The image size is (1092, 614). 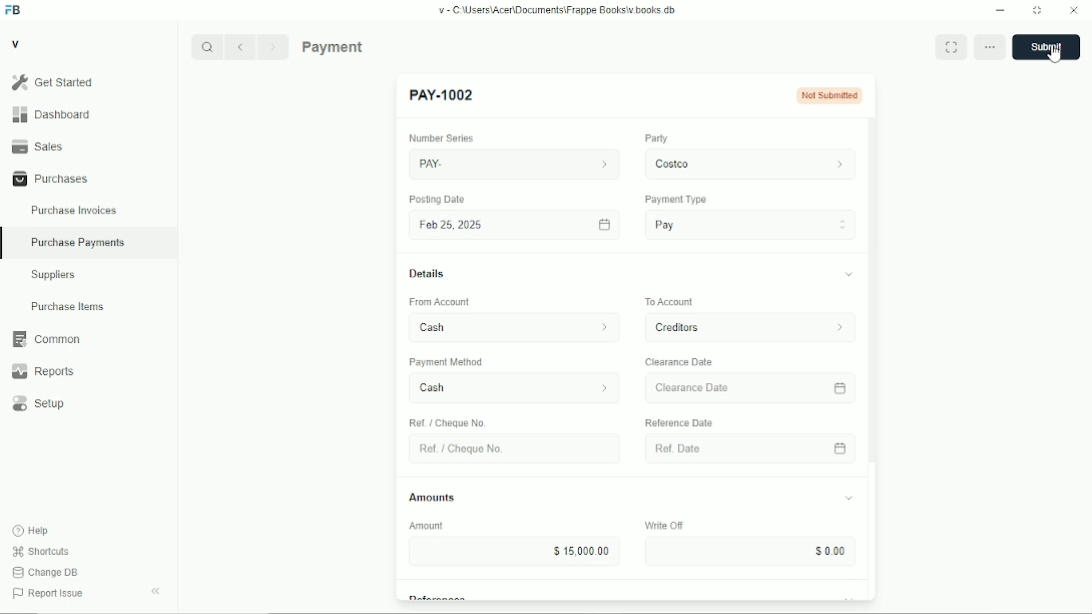 What do you see at coordinates (682, 422) in the screenshot?
I see `‘Reference Date` at bounding box center [682, 422].